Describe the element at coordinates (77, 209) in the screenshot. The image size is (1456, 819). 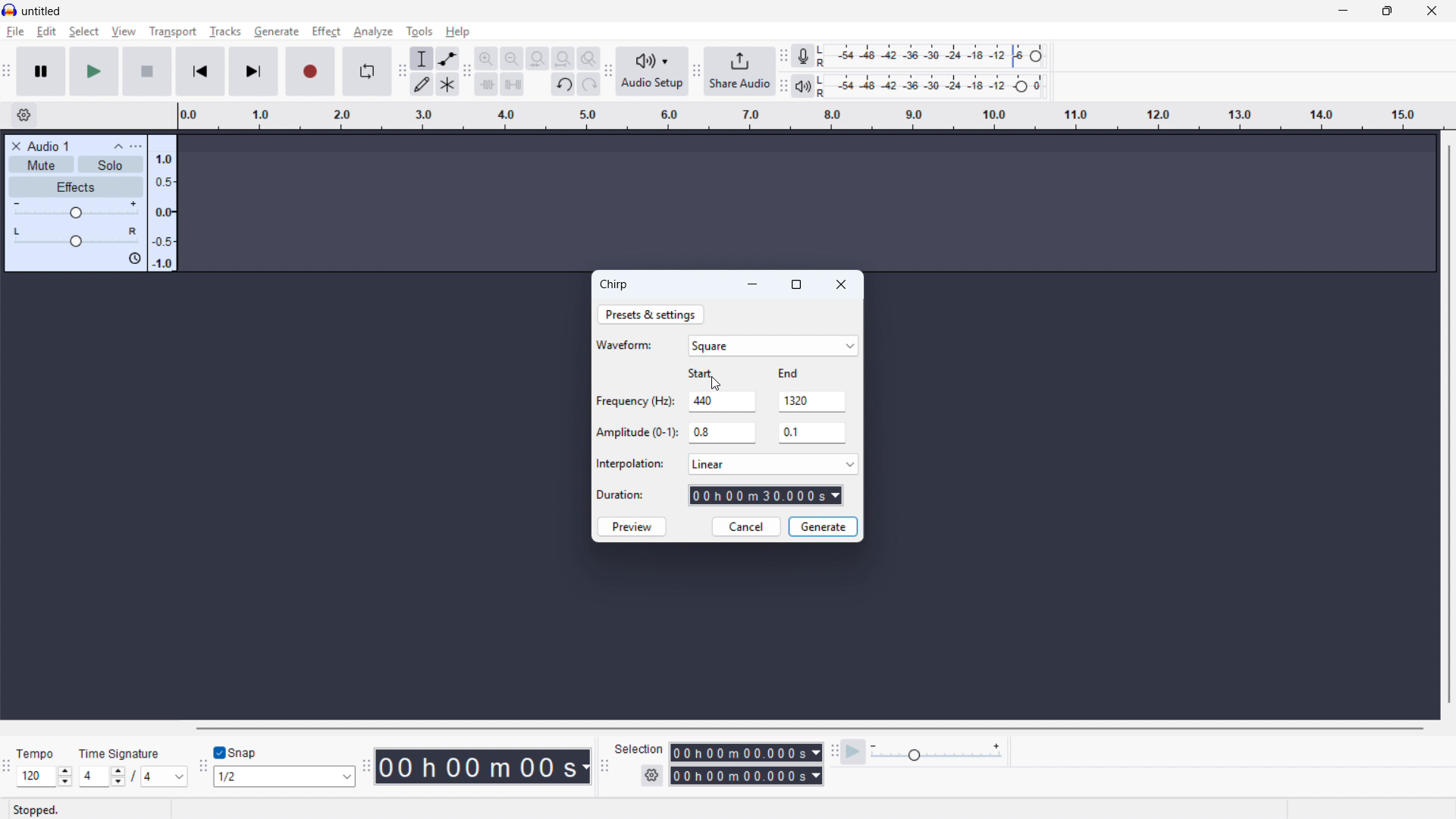
I see `gain ` at that location.